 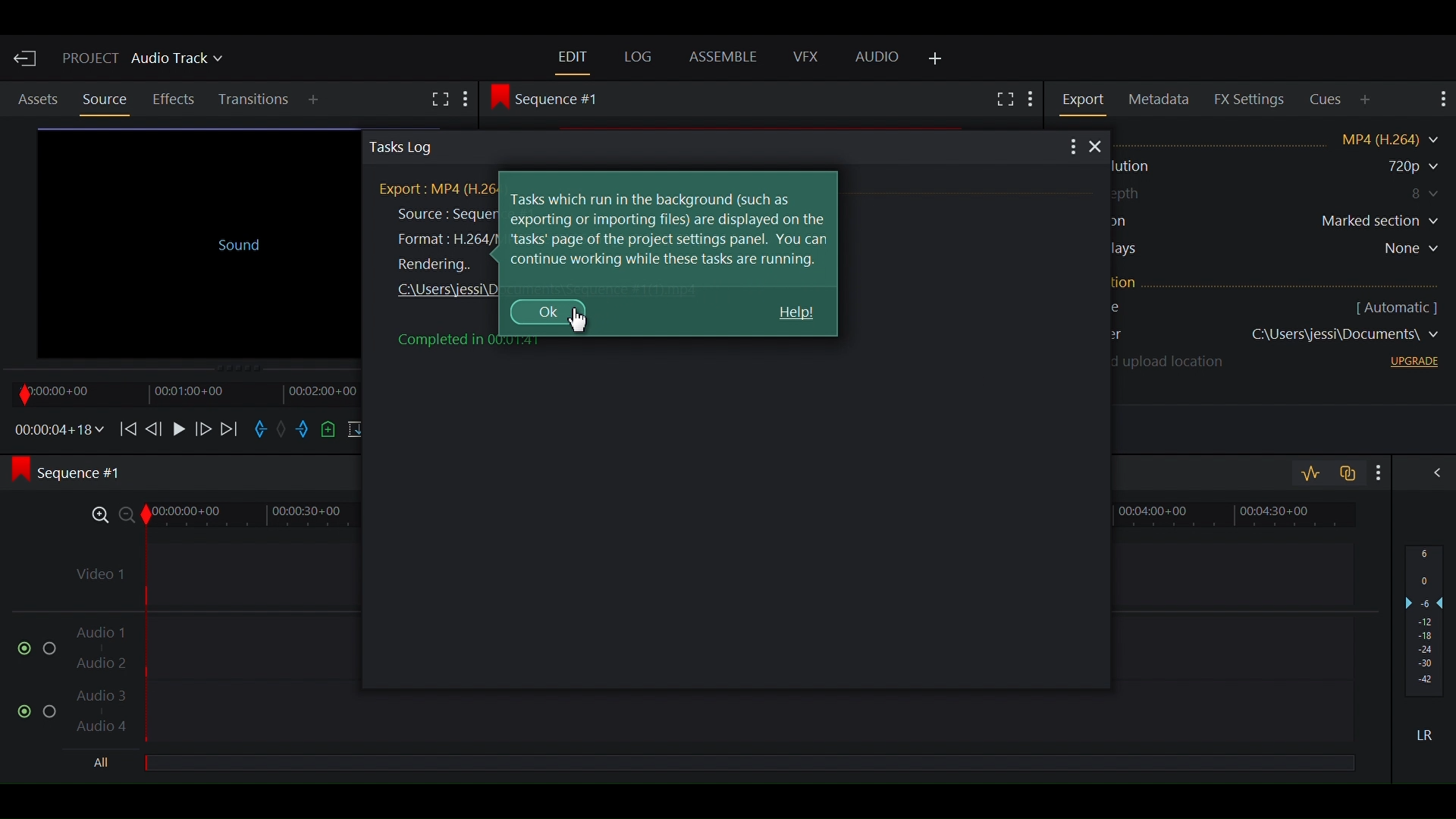 I want to click on 00.00.04+18, so click(x=55, y=429).